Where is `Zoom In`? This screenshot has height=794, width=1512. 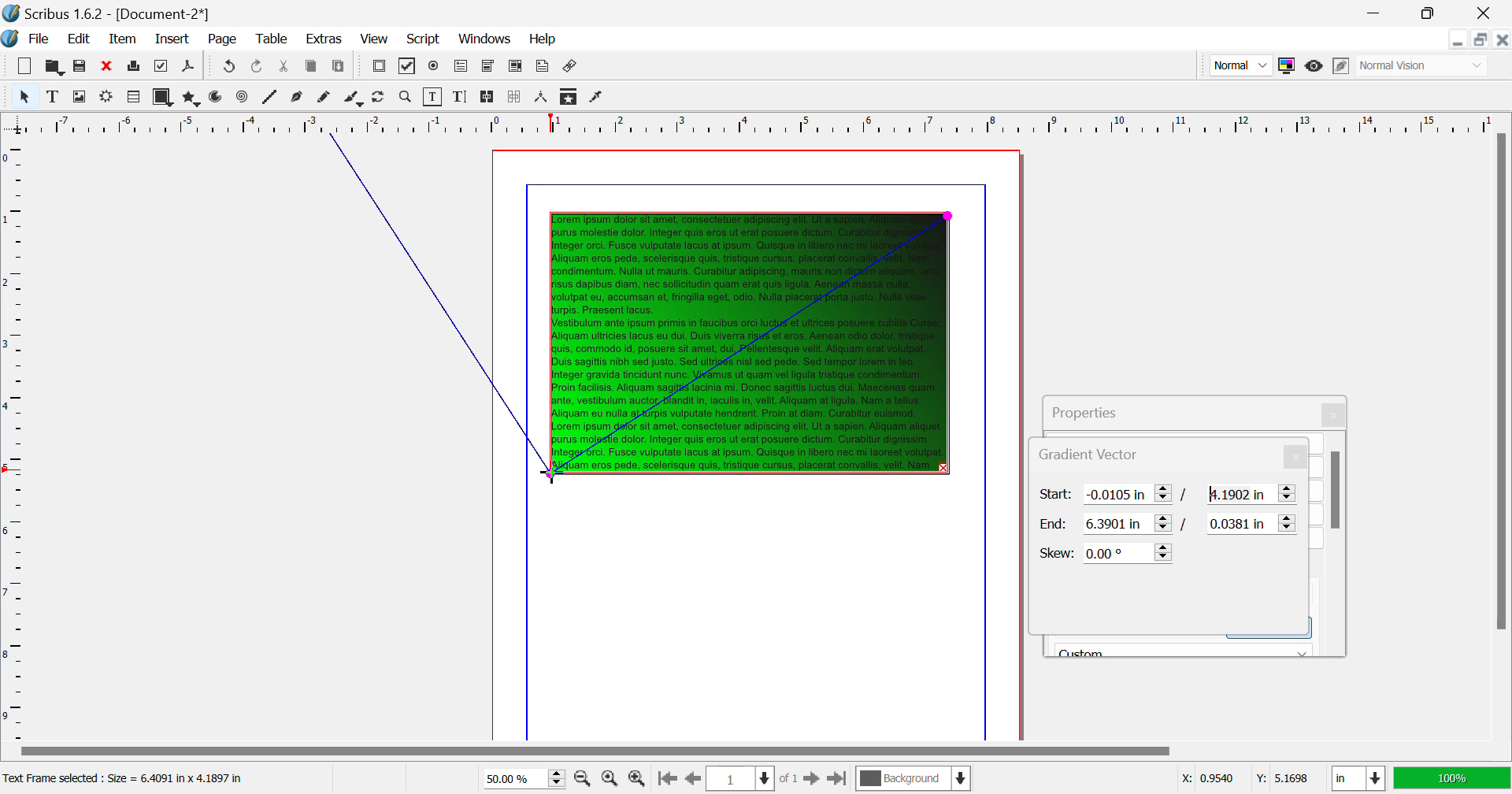
Zoom In is located at coordinates (638, 779).